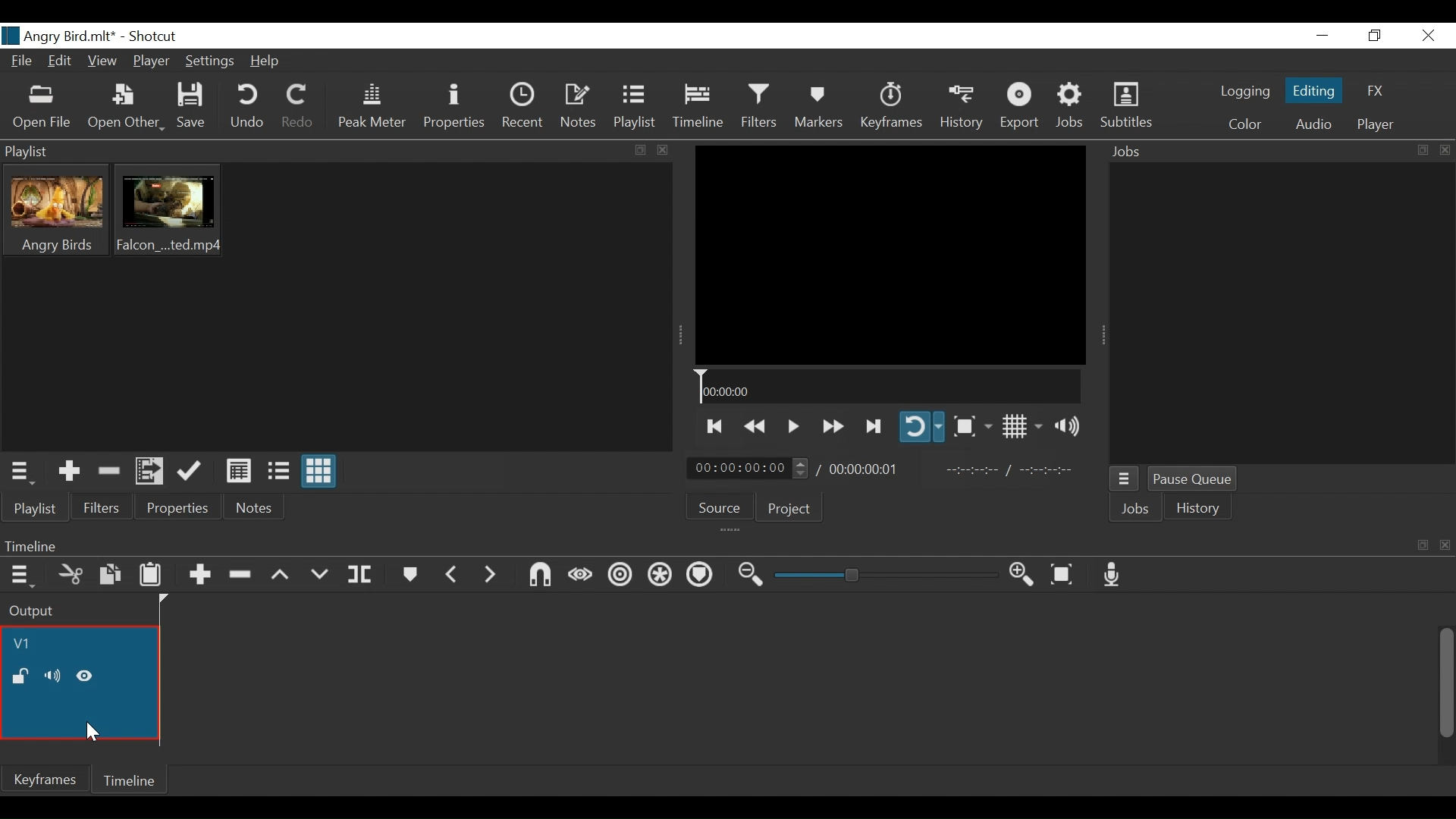  I want to click on Add files to the playlist, so click(149, 471).